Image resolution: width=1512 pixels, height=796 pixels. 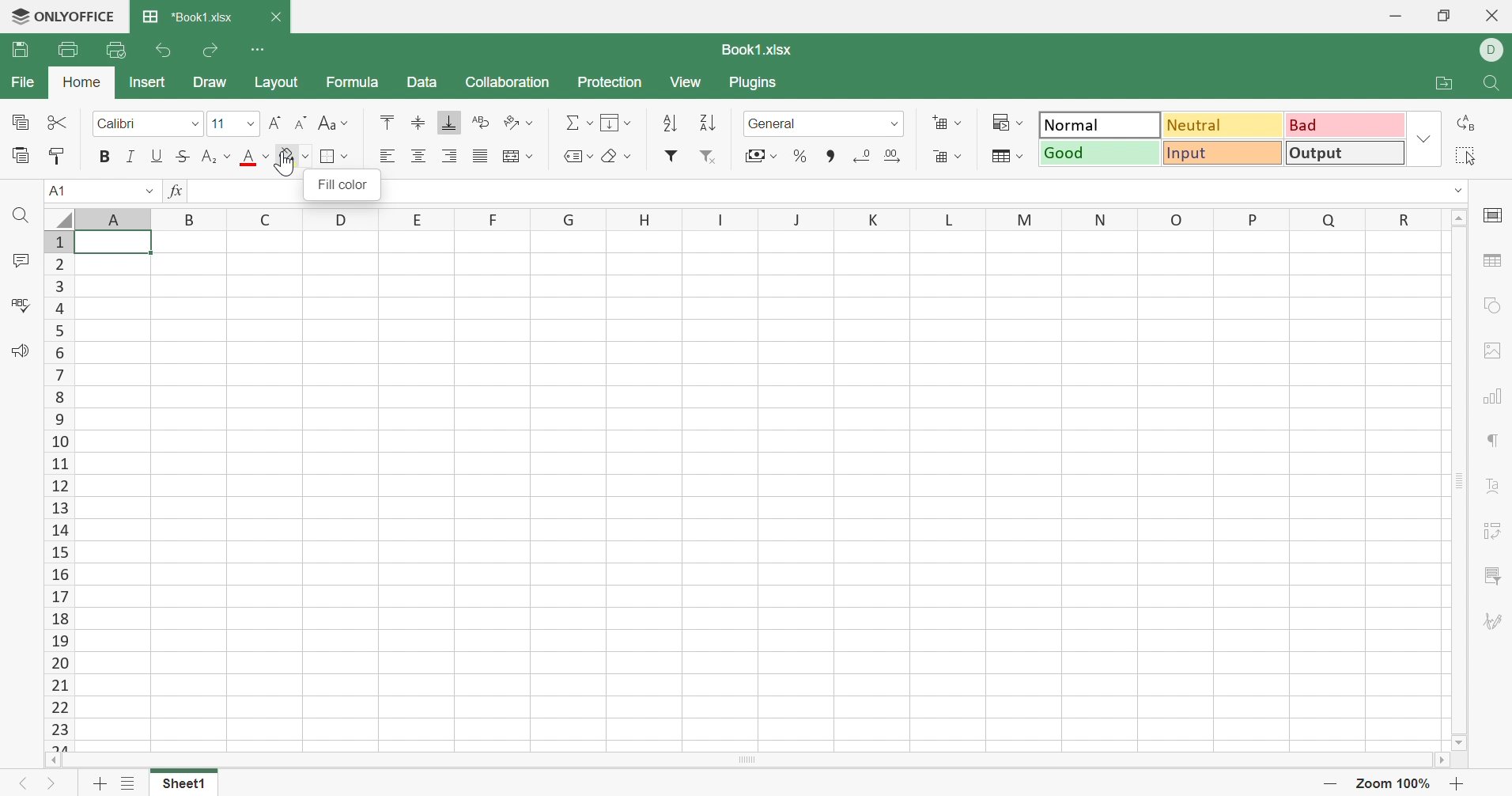 What do you see at coordinates (116, 50) in the screenshot?
I see `Quick Print` at bounding box center [116, 50].